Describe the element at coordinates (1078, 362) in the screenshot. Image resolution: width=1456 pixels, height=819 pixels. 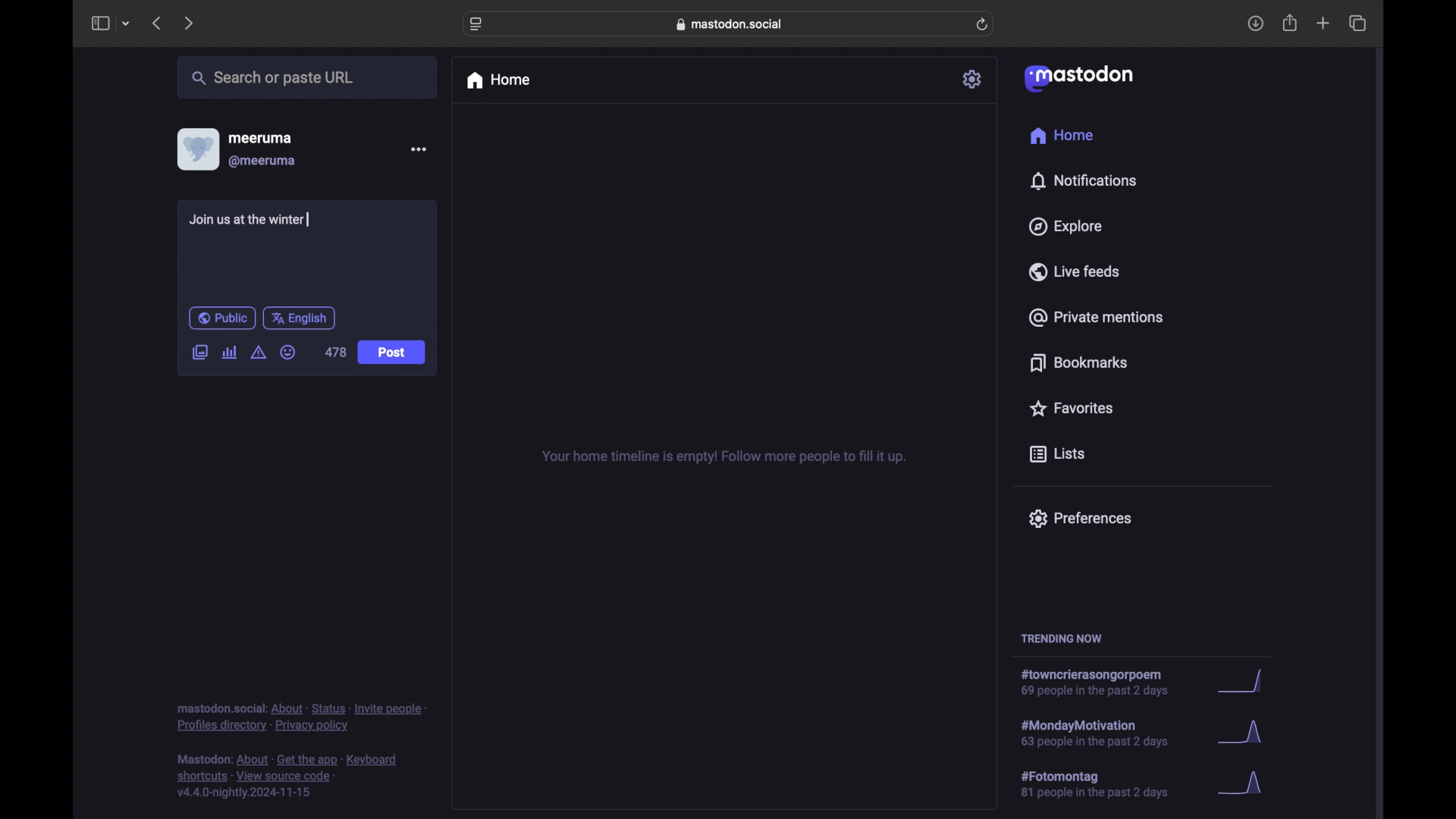
I see `bookmarks` at that location.